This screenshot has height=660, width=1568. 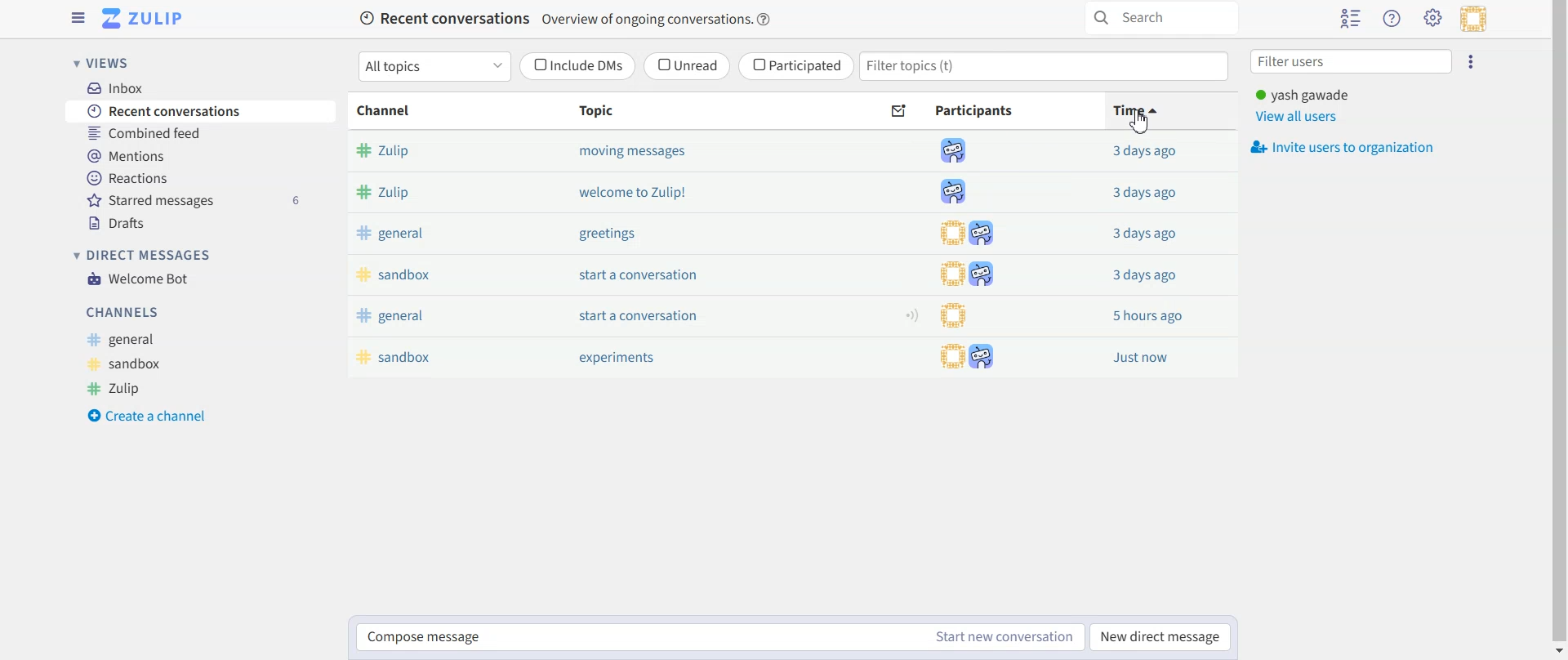 I want to click on Zulip moving messages, so click(x=558, y=149).